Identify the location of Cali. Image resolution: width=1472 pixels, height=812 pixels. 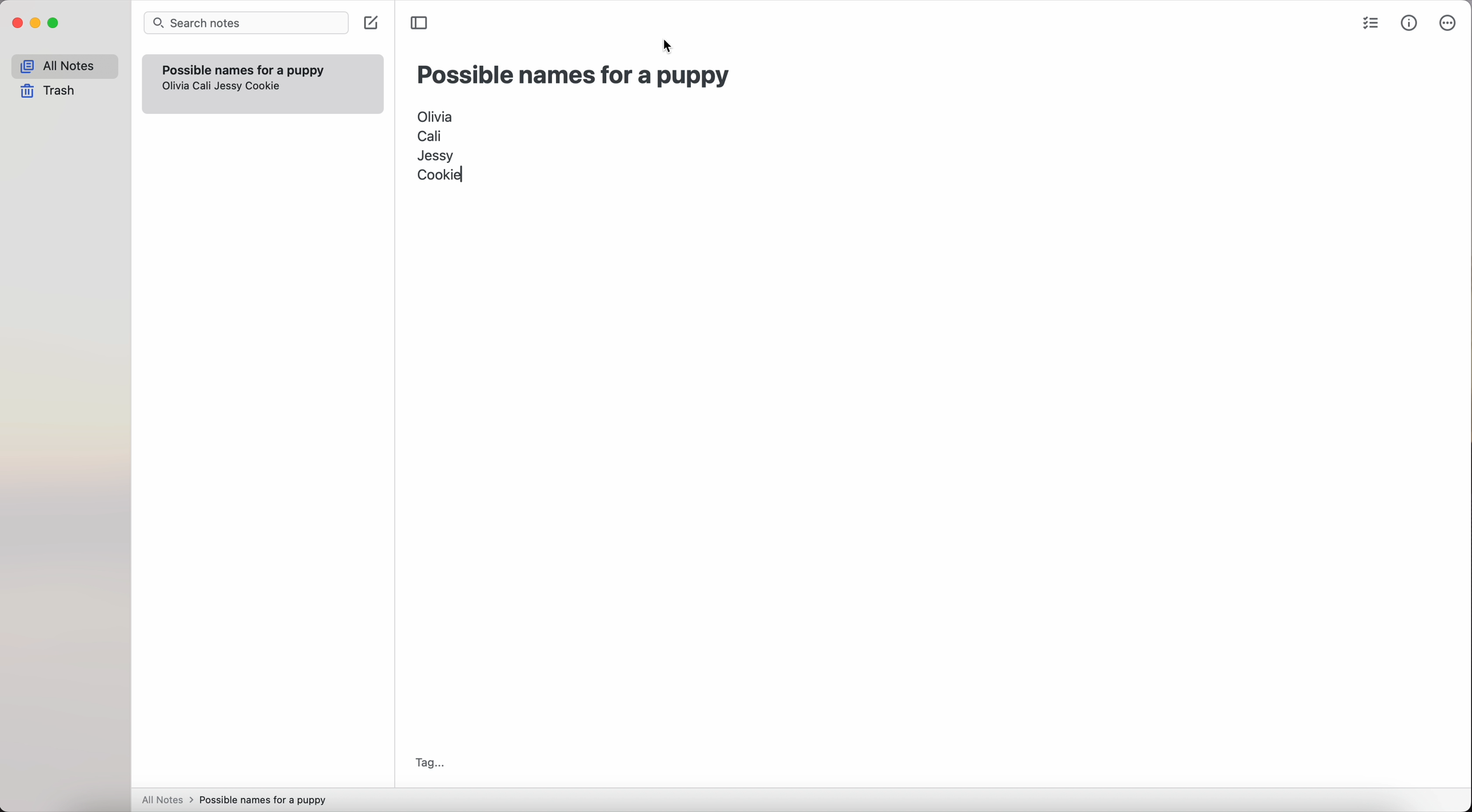
(430, 135).